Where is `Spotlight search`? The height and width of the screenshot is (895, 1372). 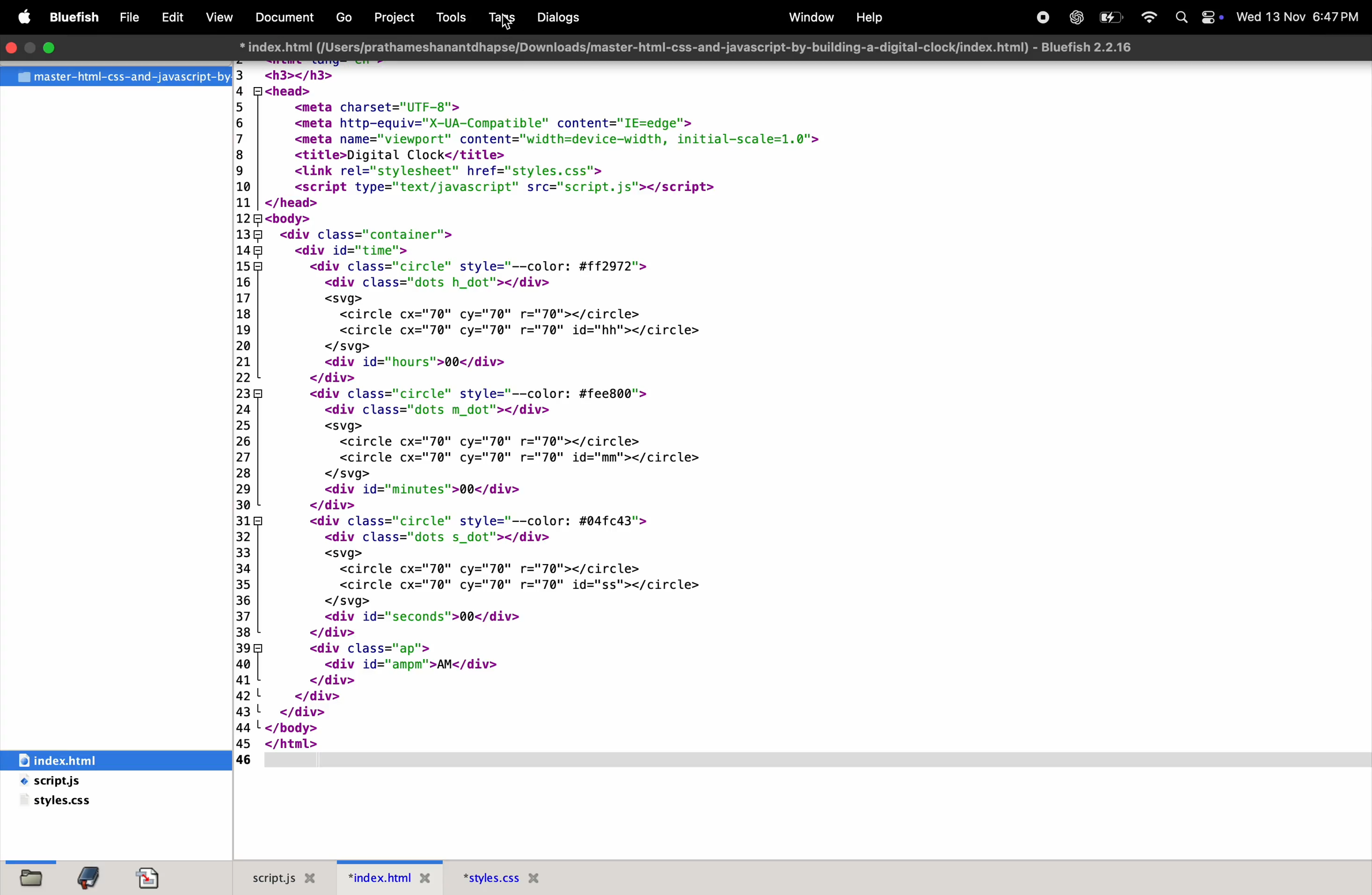 Spotlight search is located at coordinates (1182, 17).